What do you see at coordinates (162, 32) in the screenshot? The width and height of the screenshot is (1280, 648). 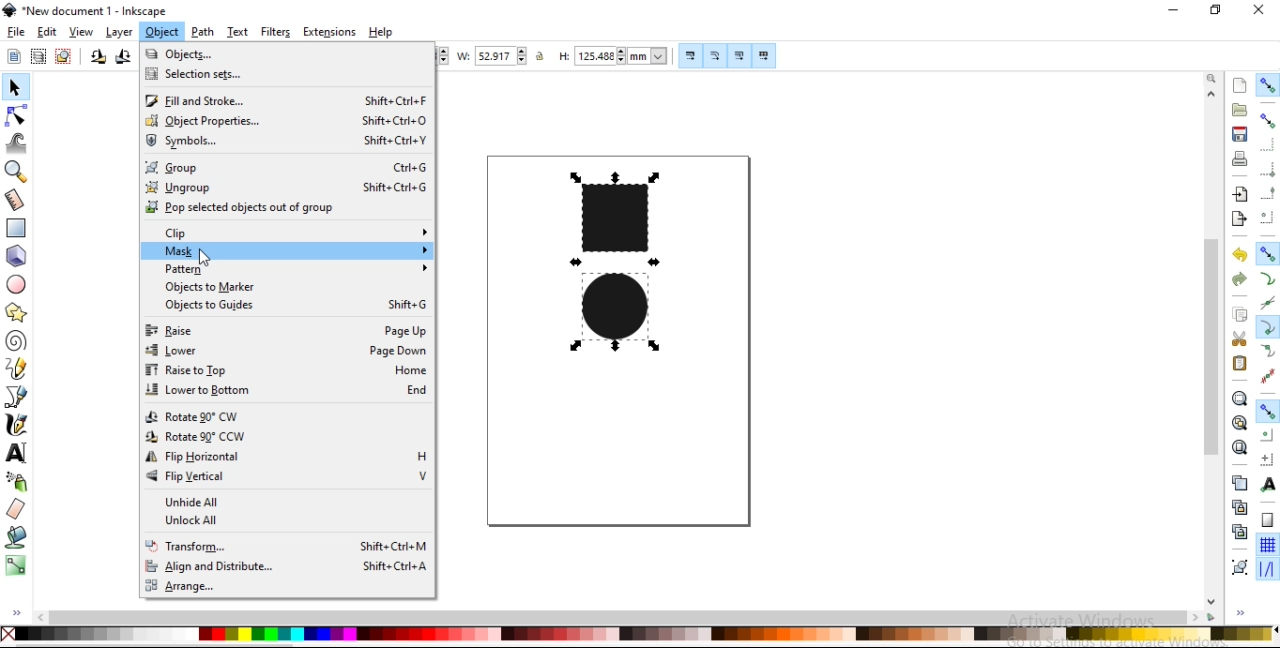 I see `object` at bounding box center [162, 32].